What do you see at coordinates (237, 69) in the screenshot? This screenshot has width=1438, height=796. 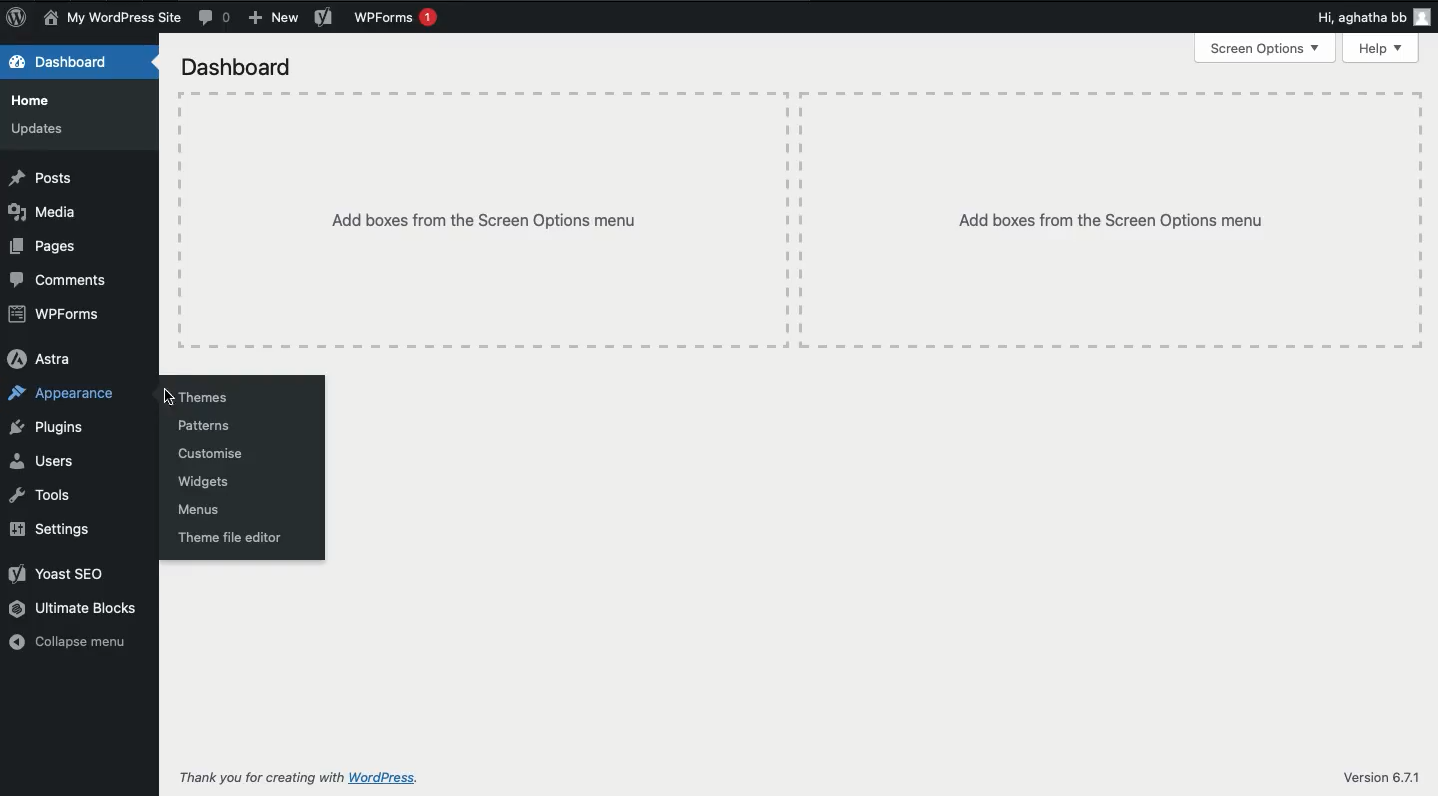 I see `Dashboard` at bounding box center [237, 69].